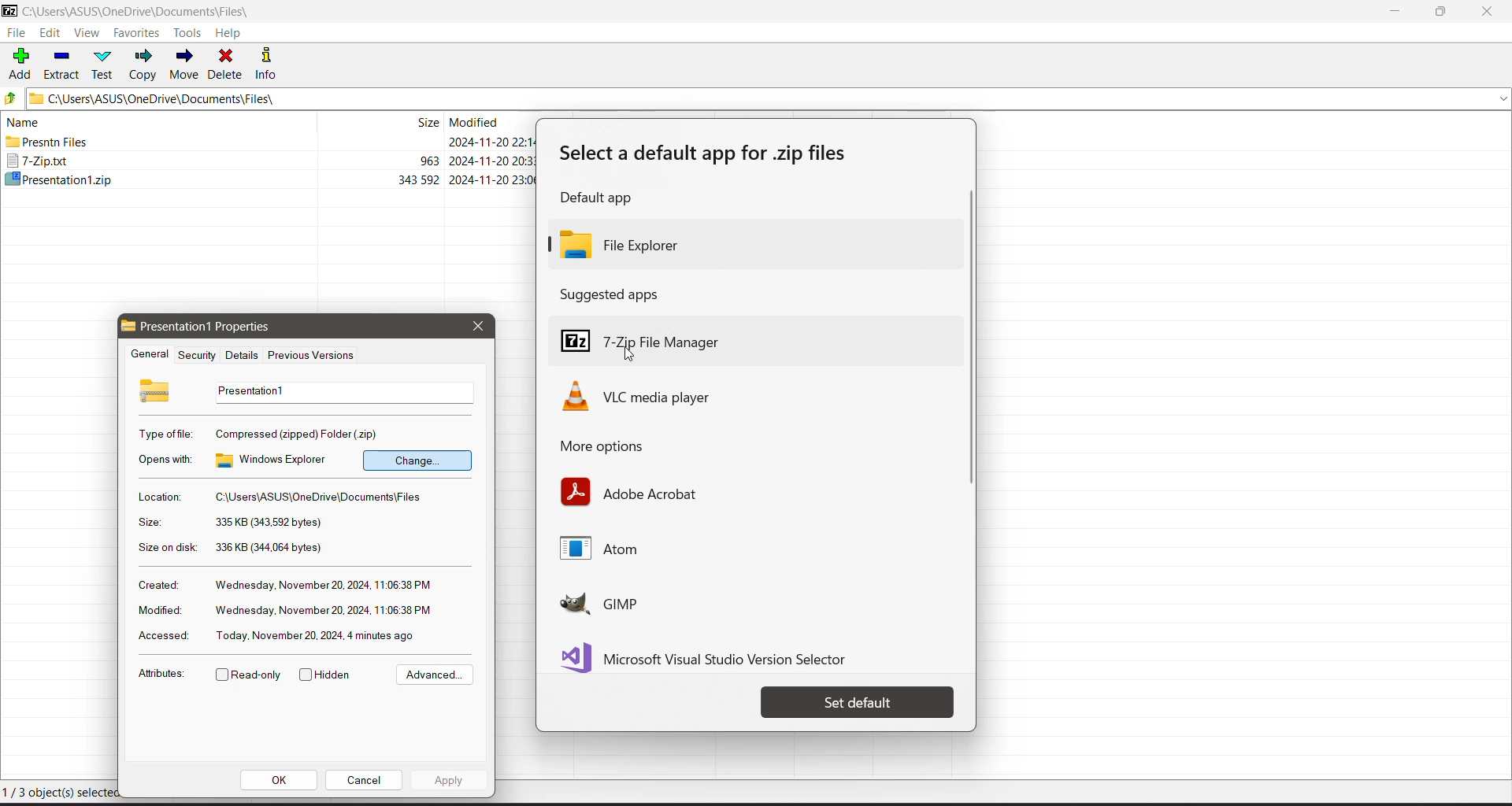 The image size is (1512, 806). I want to click on Cursor on presentation file, so click(272, 179).